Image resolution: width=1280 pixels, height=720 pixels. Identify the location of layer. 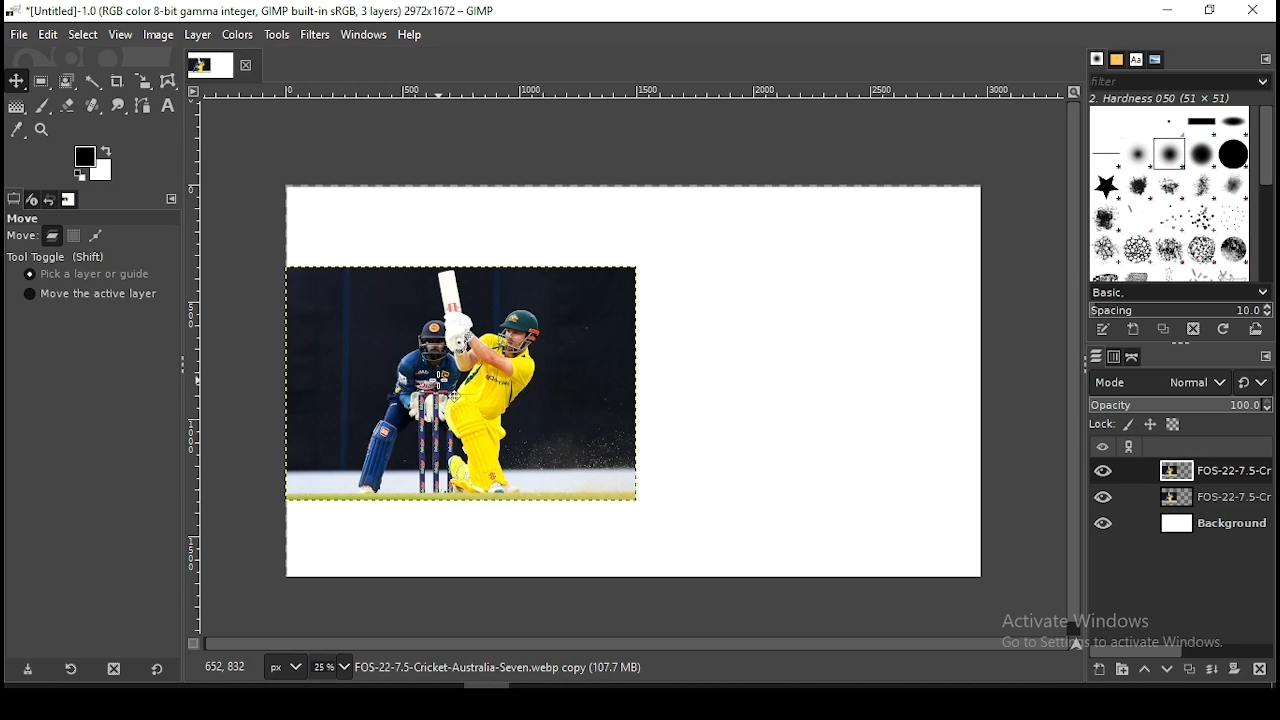
(1213, 524).